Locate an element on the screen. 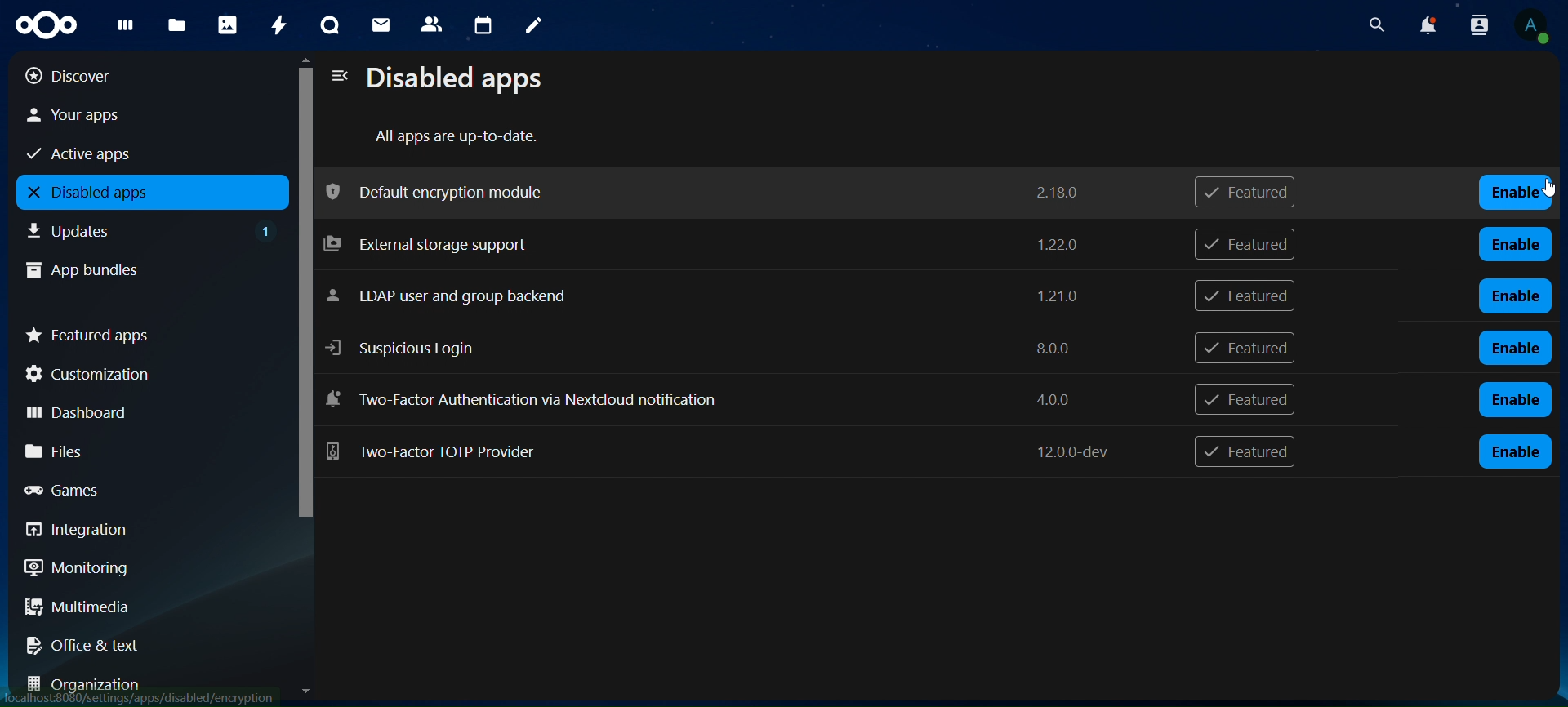 The height and width of the screenshot is (707, 1568). featured is located at coordinates (1244, 401).